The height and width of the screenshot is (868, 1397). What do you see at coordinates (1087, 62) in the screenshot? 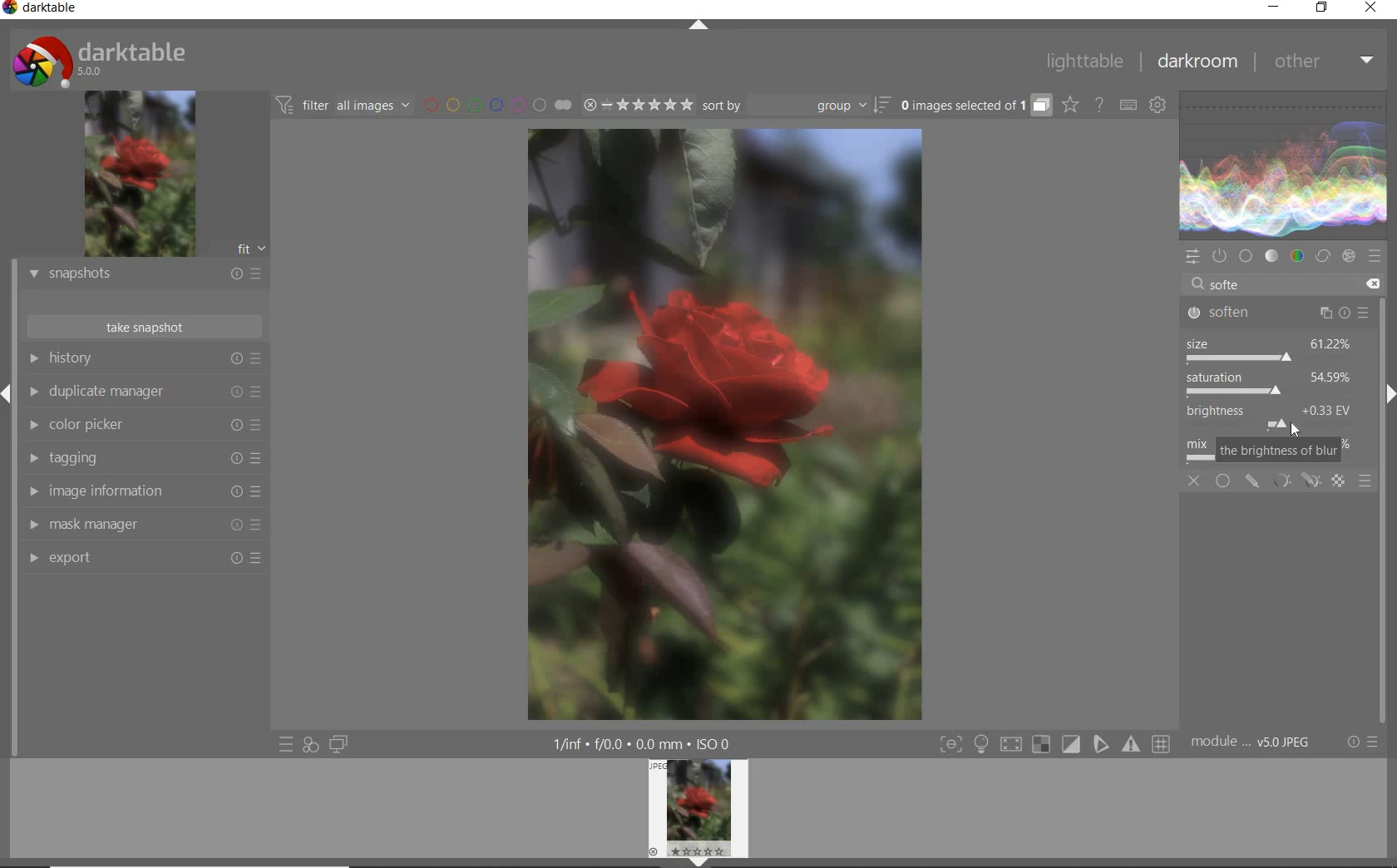
I see `lighttable` at bounding box center [1087, 62].